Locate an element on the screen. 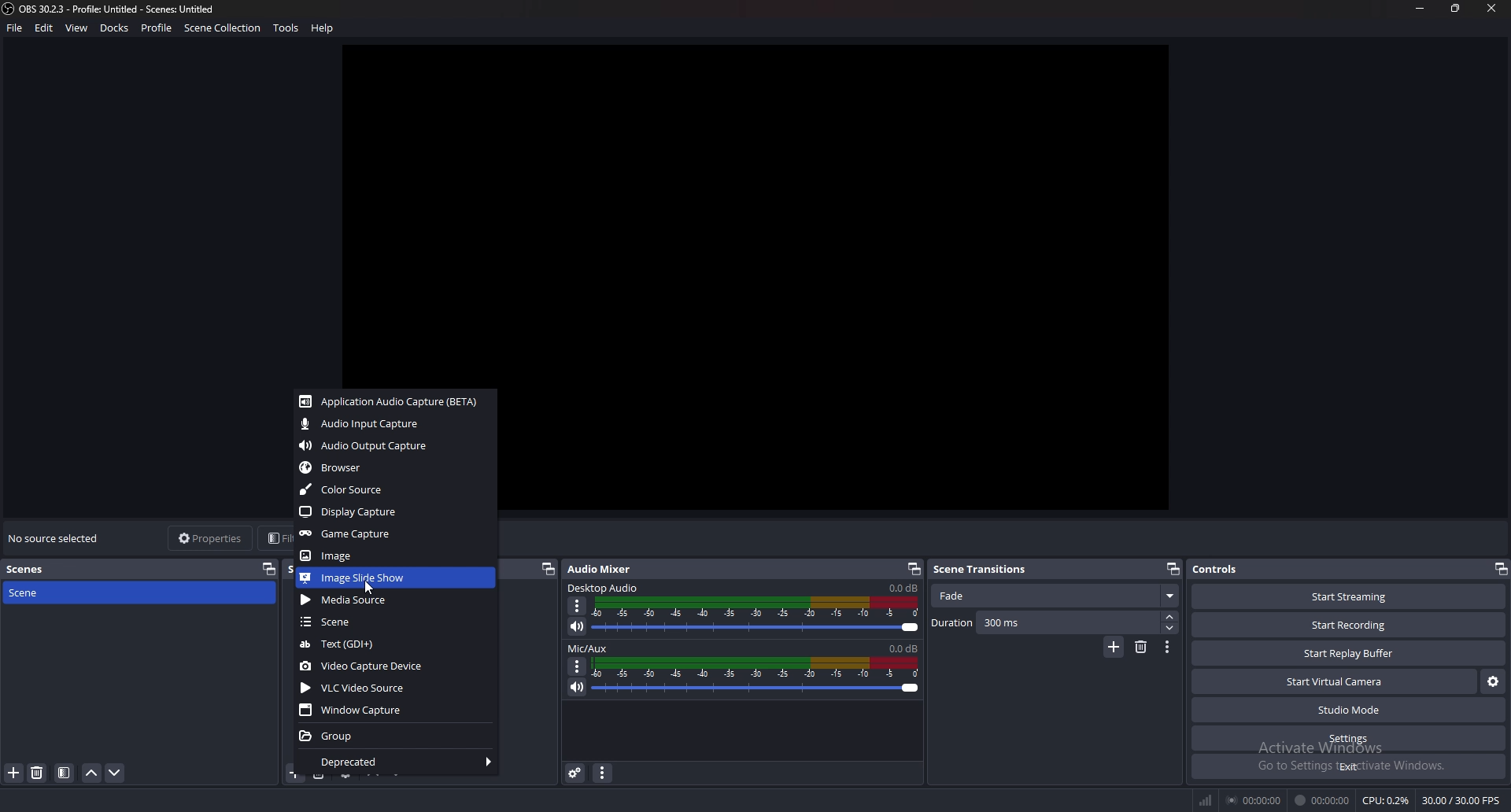 The width and height of the screenshot is (1511, 812). decrease duration is located at coordinates (1170, 629).